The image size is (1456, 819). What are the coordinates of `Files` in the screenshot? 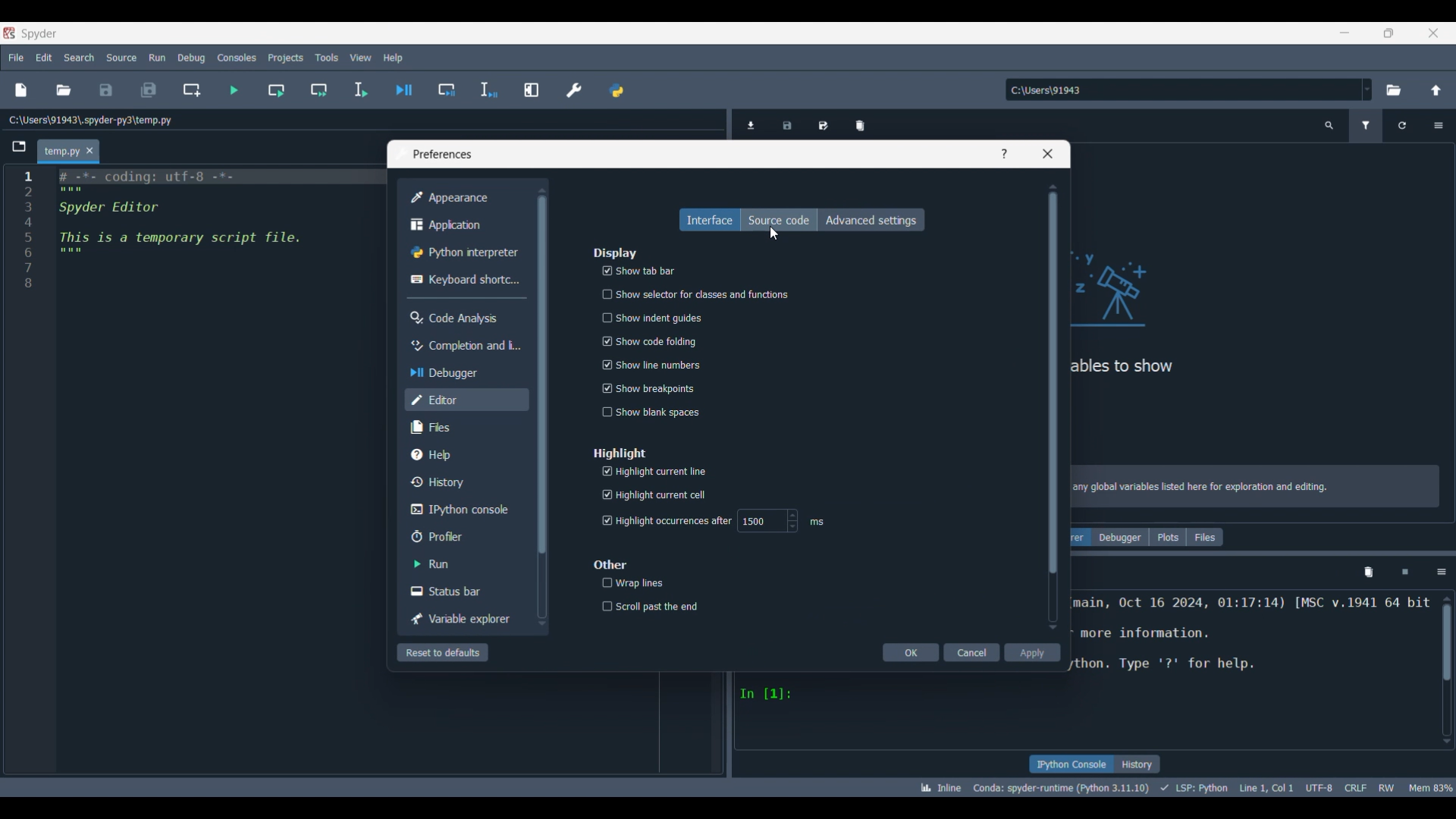 It's located at (1205, 537).